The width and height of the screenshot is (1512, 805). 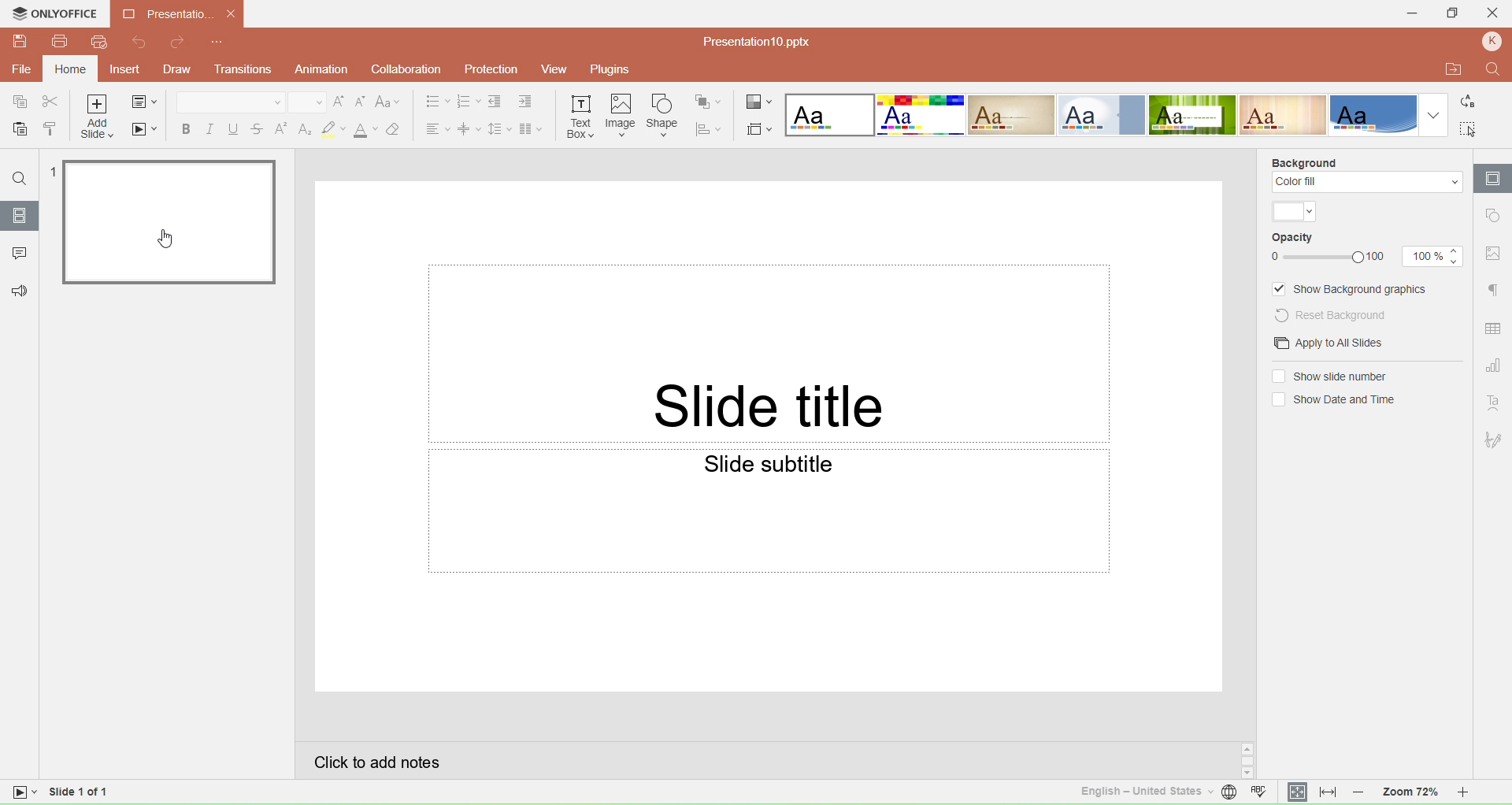 I want to click on Select slide size, so click(x=759, y=126).